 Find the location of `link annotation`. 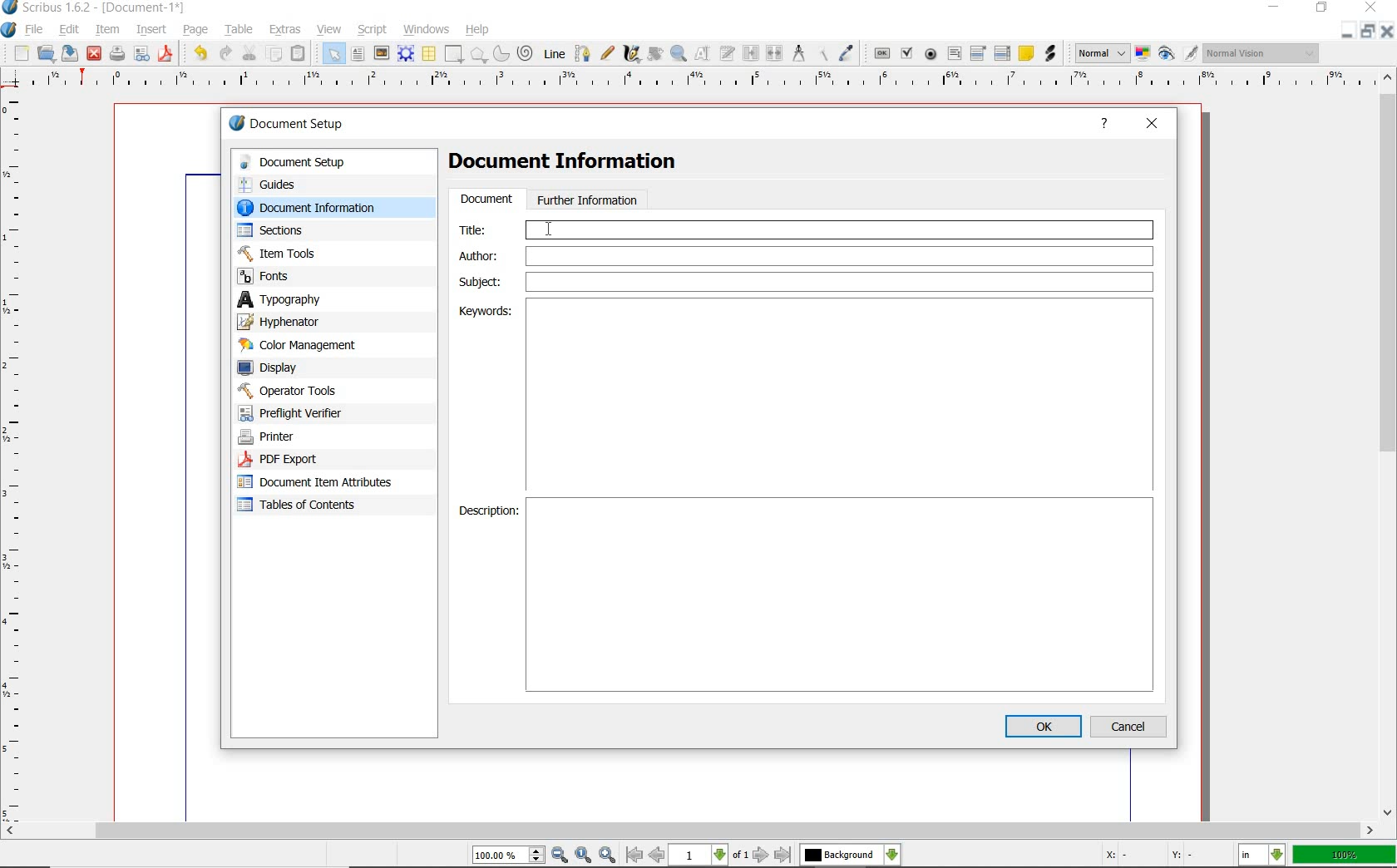

link annotation is located at coordinates (1049, 54).